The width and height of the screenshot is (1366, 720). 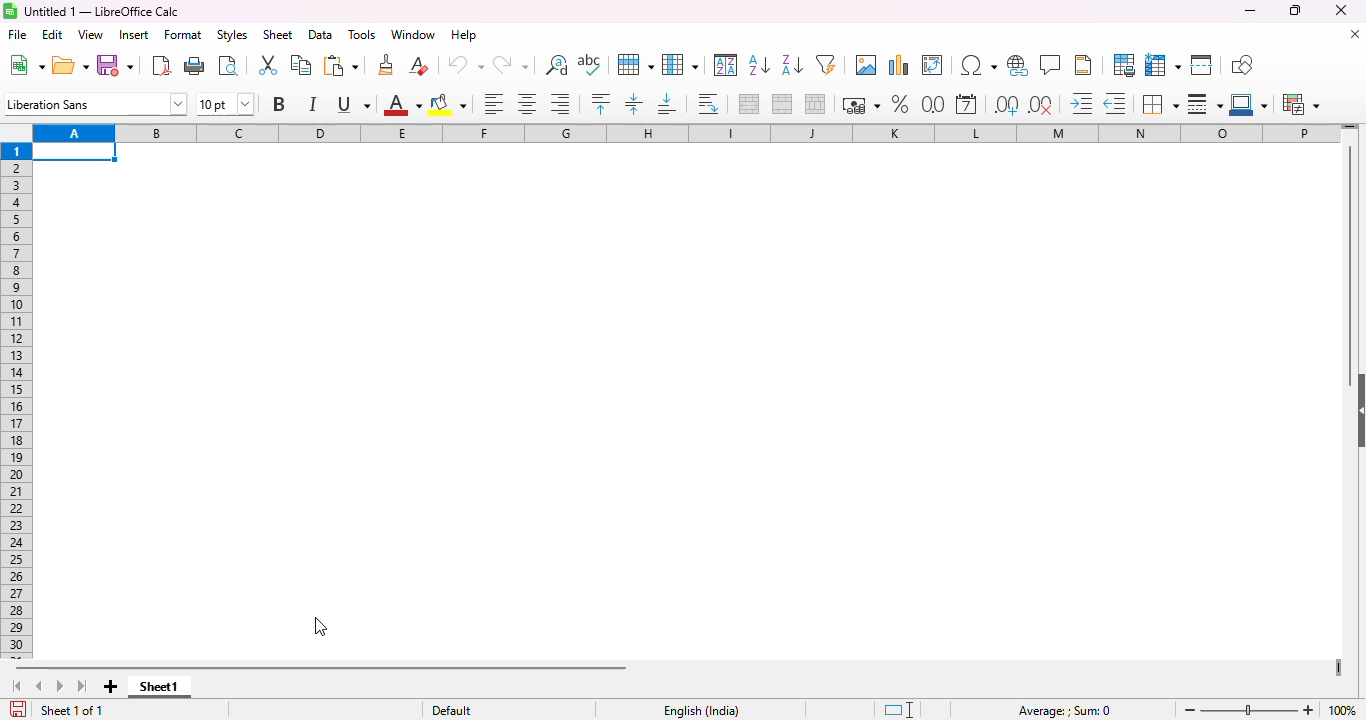 What do you see at coordinates (321, 668) in the screenshot?
I see `horizontal scroll bar` at bounding box center [321, 668].